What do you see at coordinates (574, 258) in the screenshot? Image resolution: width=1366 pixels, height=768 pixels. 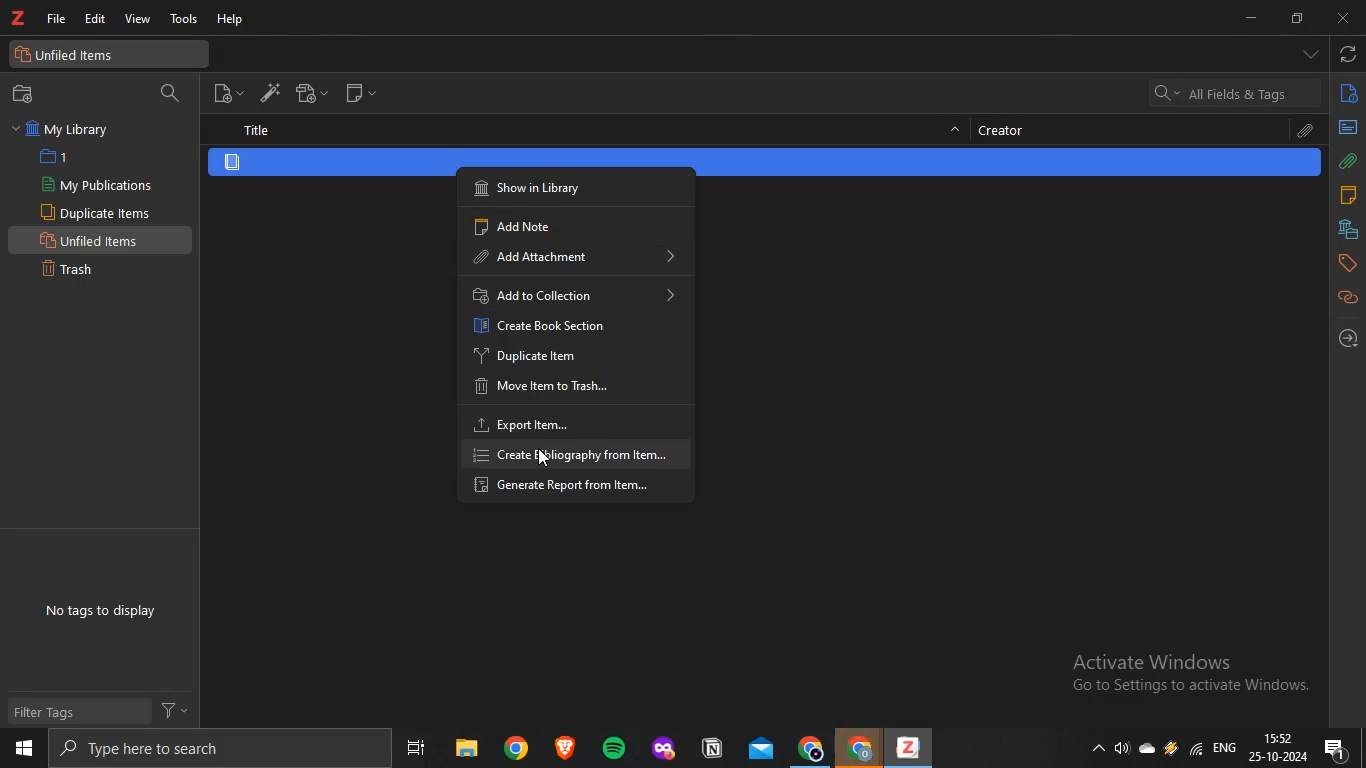 I see `‘Add Attachment` at bounding box center [574, 258].